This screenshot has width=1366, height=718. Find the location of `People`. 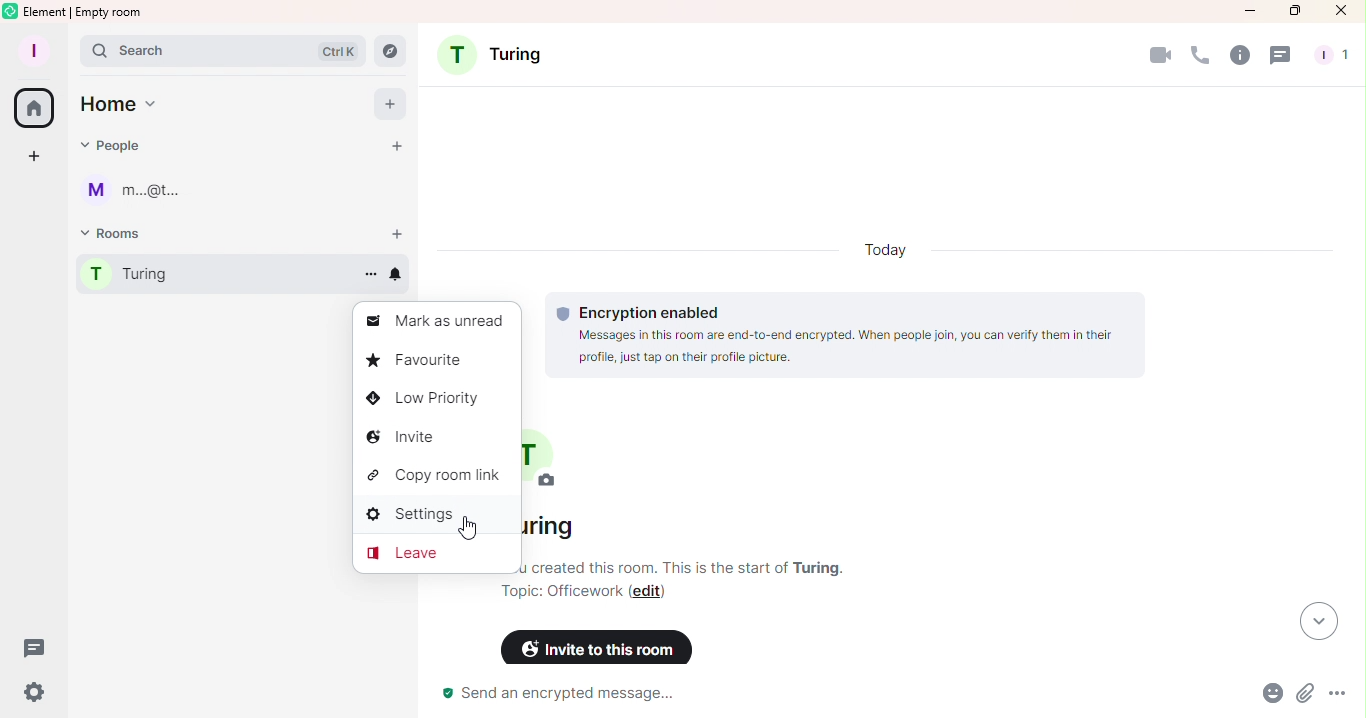

People is located at coordinates (114, 147).